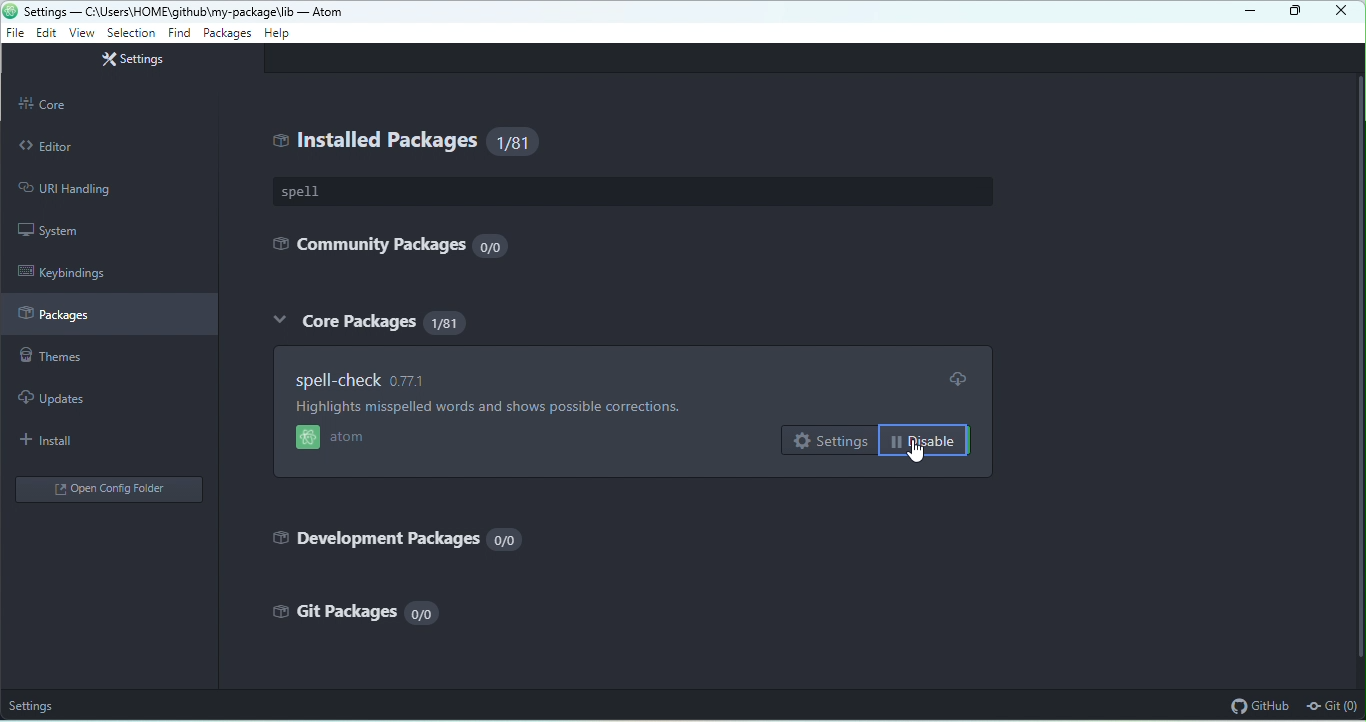 Image resolution: width=1366 pixels, height=722 pixels. Describe the element at coordinates (102, 188) in the screenshot. I see `URI handling` at that location.